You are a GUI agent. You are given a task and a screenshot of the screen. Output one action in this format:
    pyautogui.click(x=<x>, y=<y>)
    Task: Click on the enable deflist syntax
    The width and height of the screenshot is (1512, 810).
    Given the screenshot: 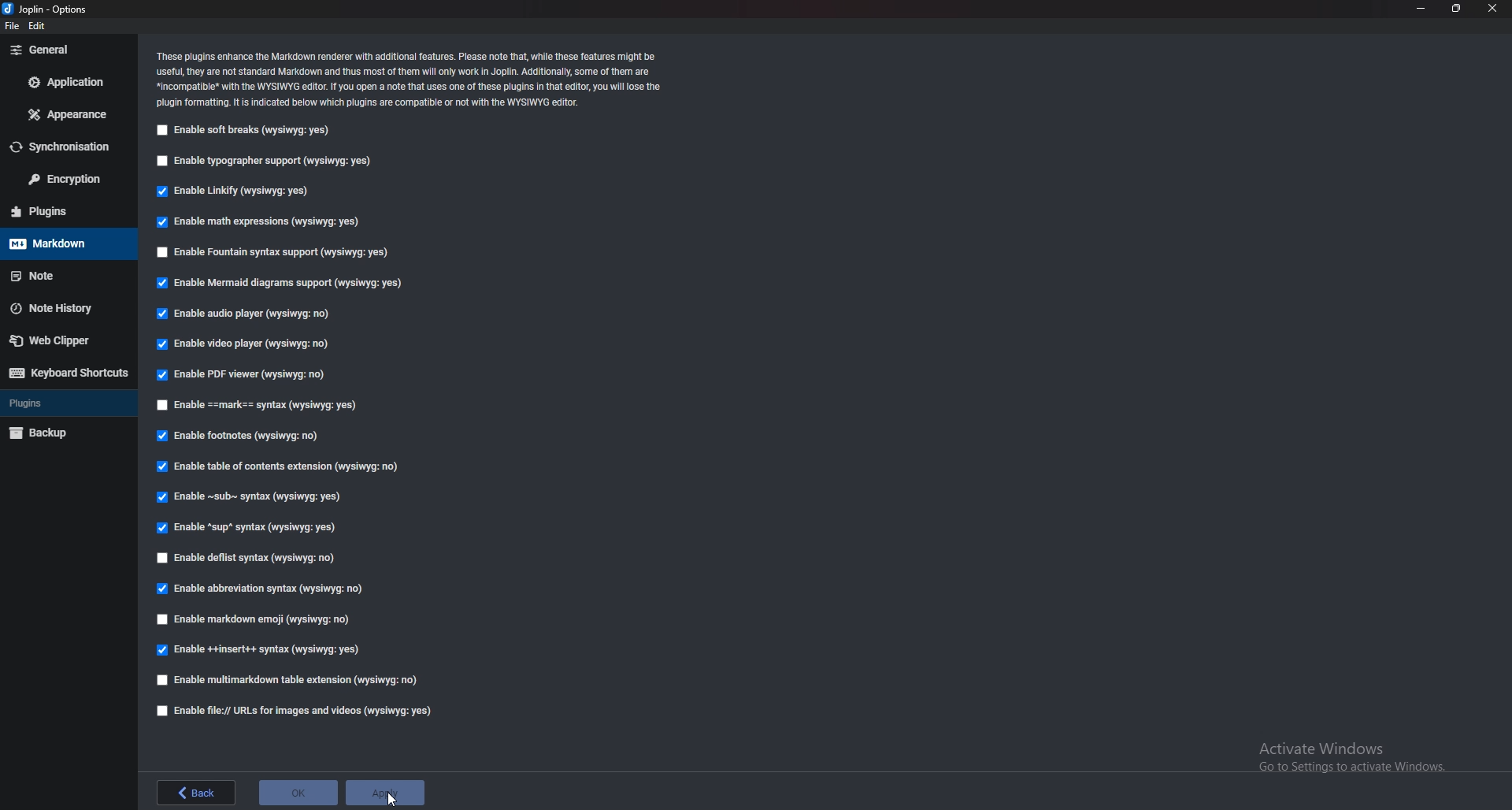 What is the action you would take?
    pyautogui.click(x=250, y=559)
    